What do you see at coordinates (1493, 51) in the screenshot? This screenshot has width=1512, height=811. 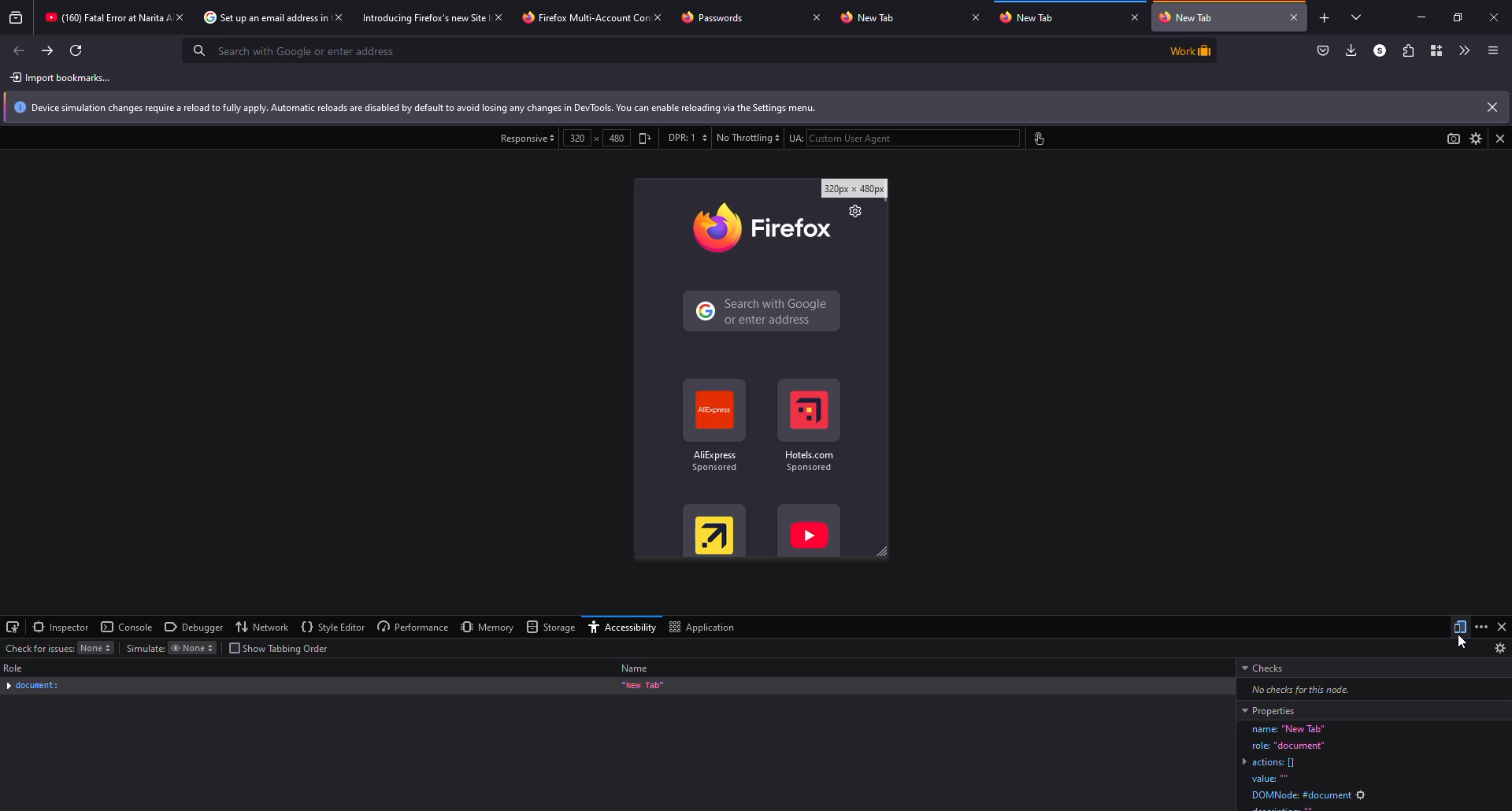 I see `menu` at bounding box center [1493, 51].